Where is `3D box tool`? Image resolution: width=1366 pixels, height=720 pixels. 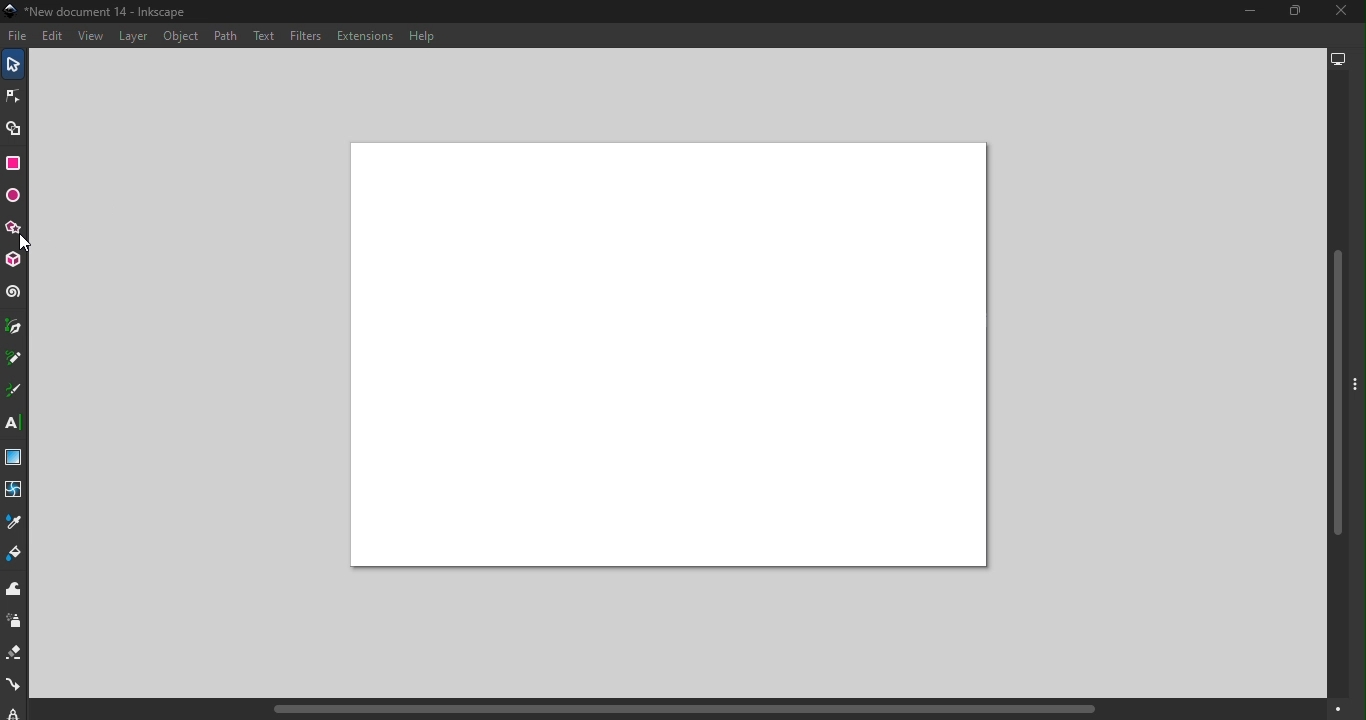
3D box tool is located at coordinates (16, 260).